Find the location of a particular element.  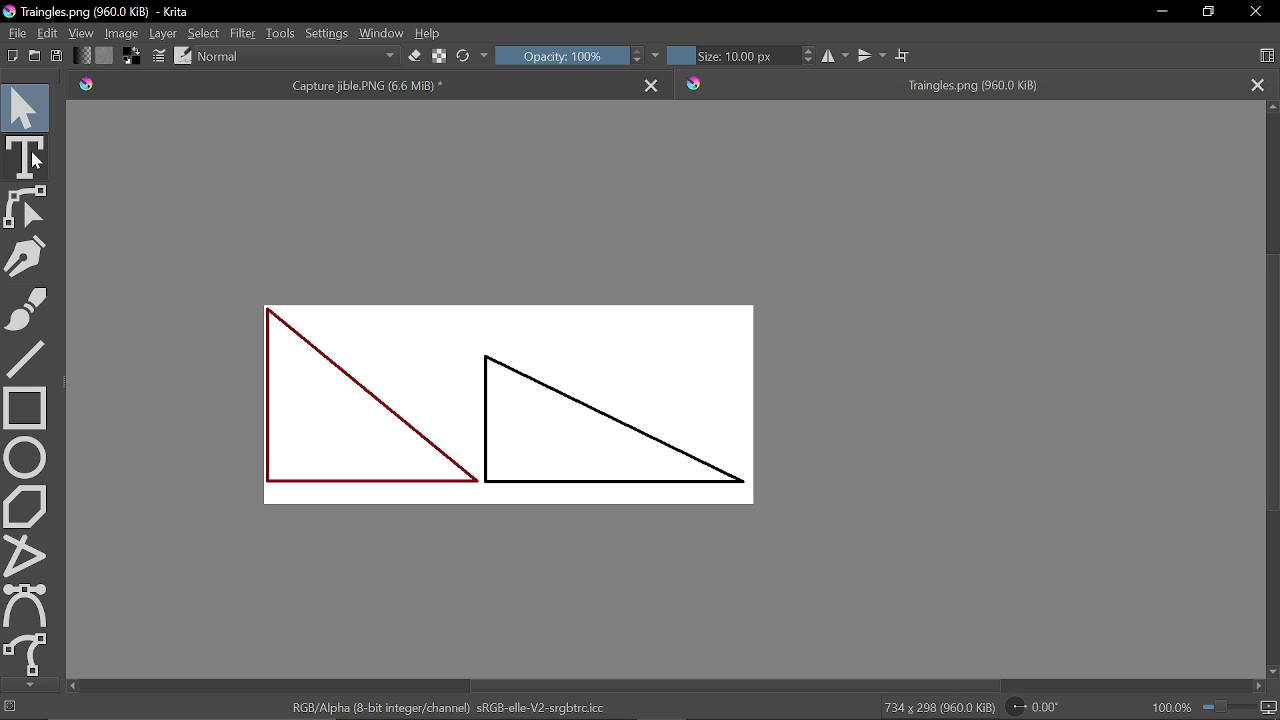

Image is located at coordinates (120, 34).